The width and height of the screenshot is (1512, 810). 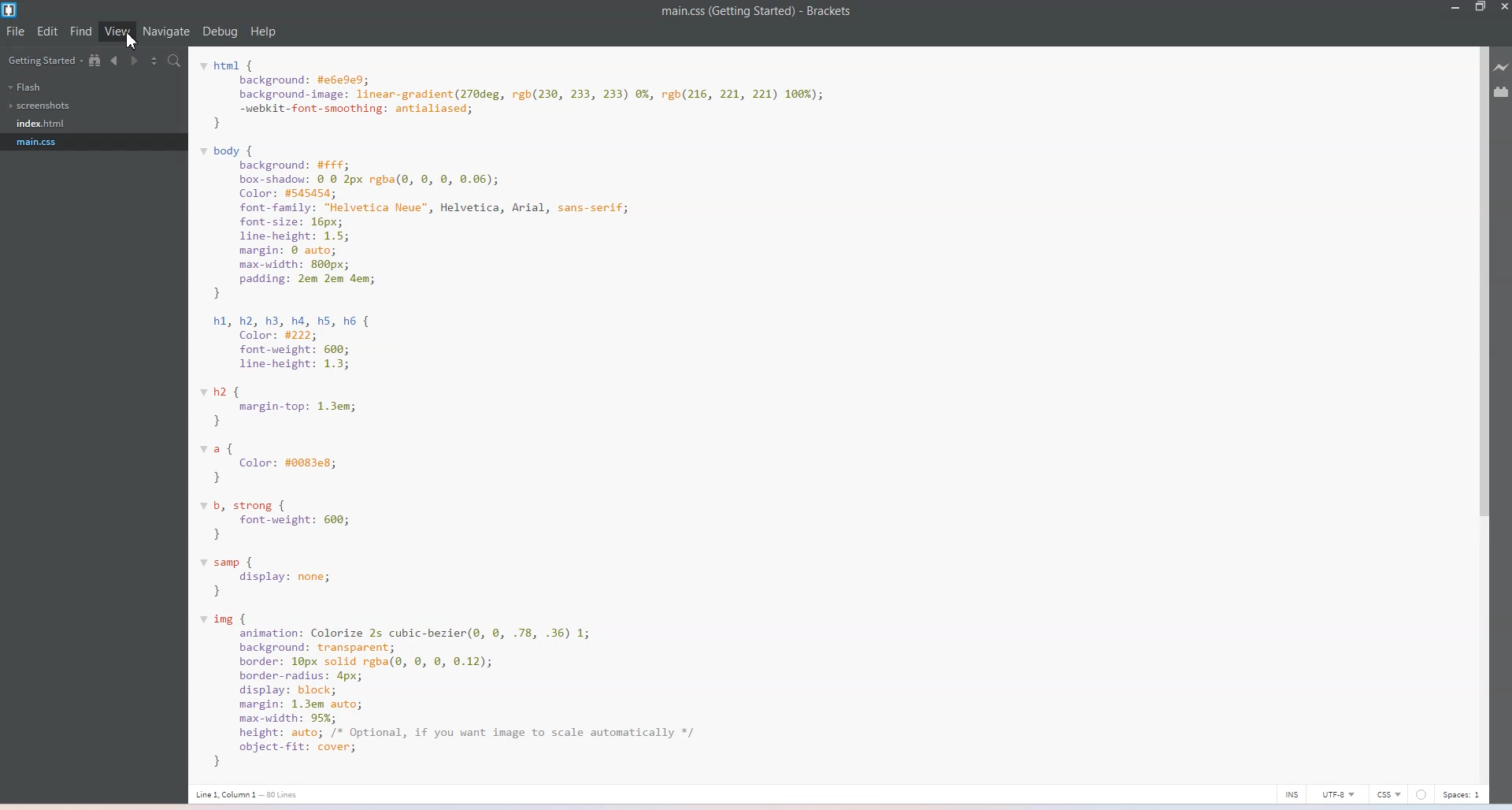 What do you see at coordinates (44, 122) in the screenshot?
I see `Index.css` at bounding box center [44, 122].